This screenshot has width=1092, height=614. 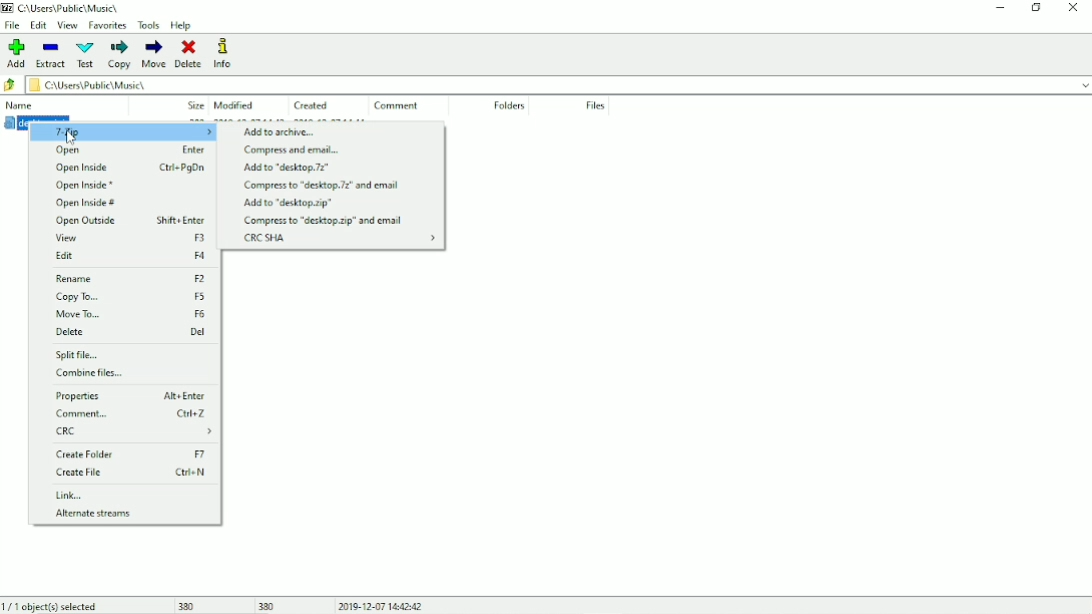 I want to click on Minimize, so click(x=1001, y=8).